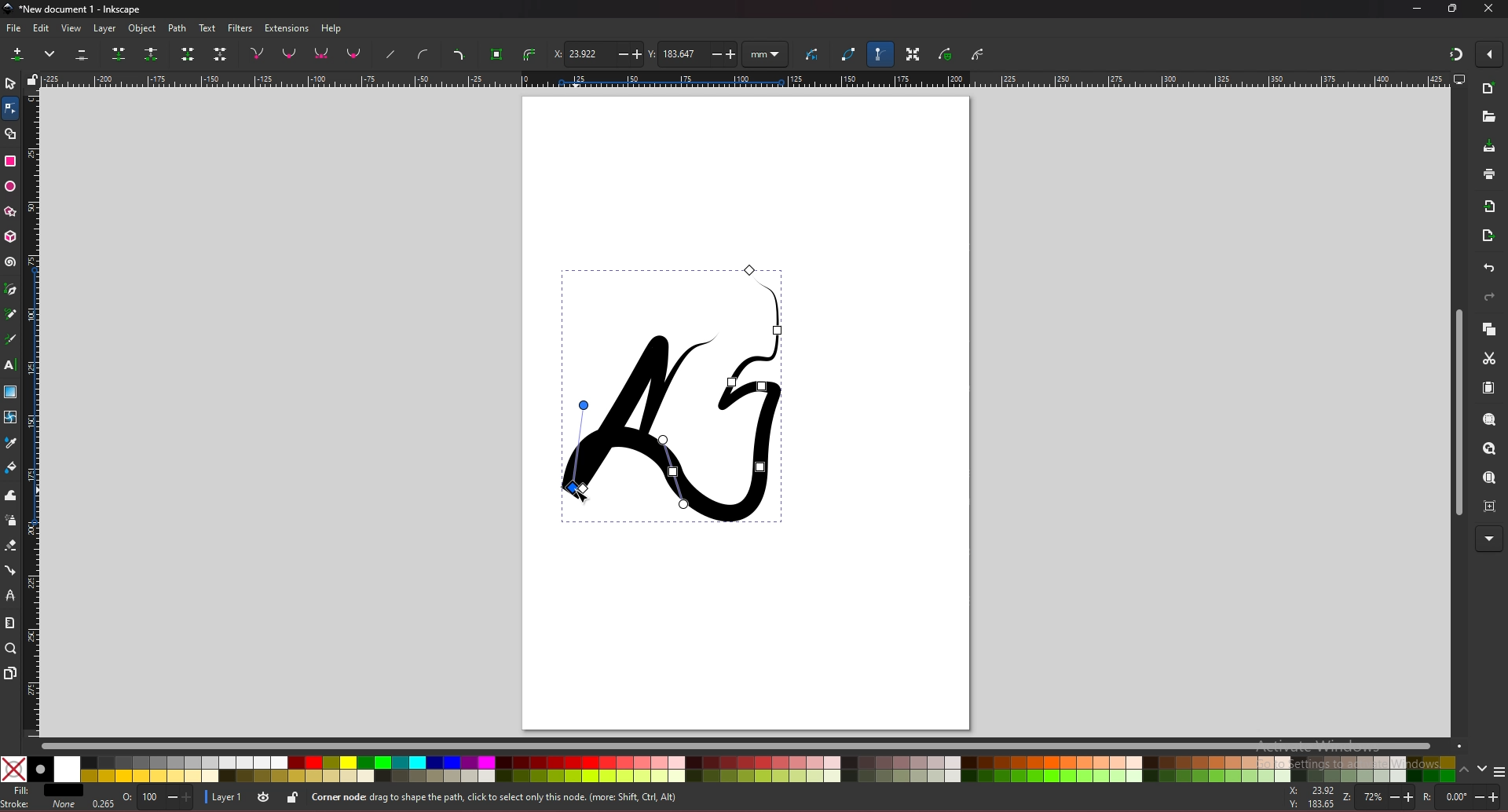  Describe the element at coordinates (207, 27) in the screenshot. I see `text` at that location.